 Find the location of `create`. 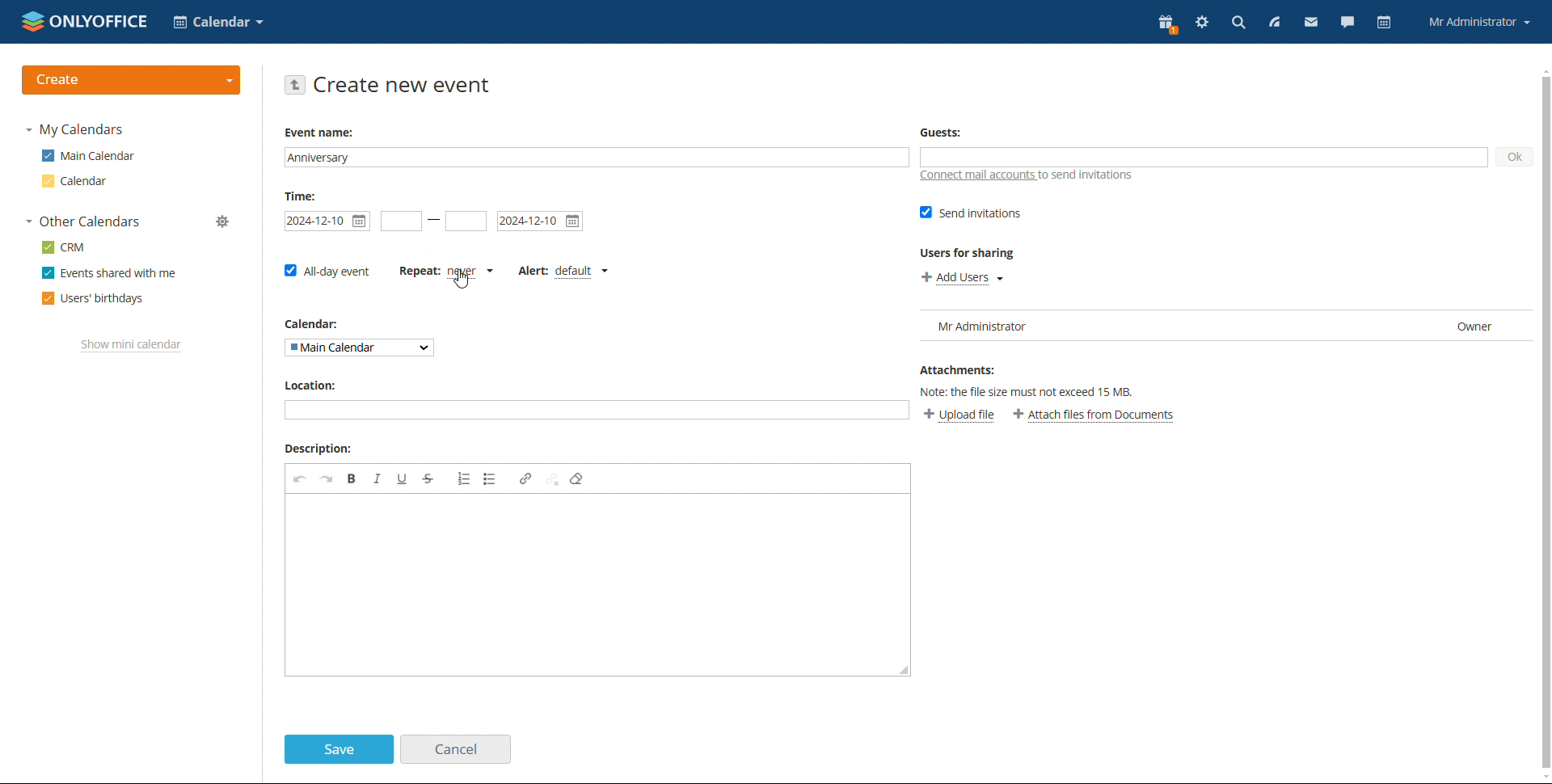

create is located at coordinates (135, 78).